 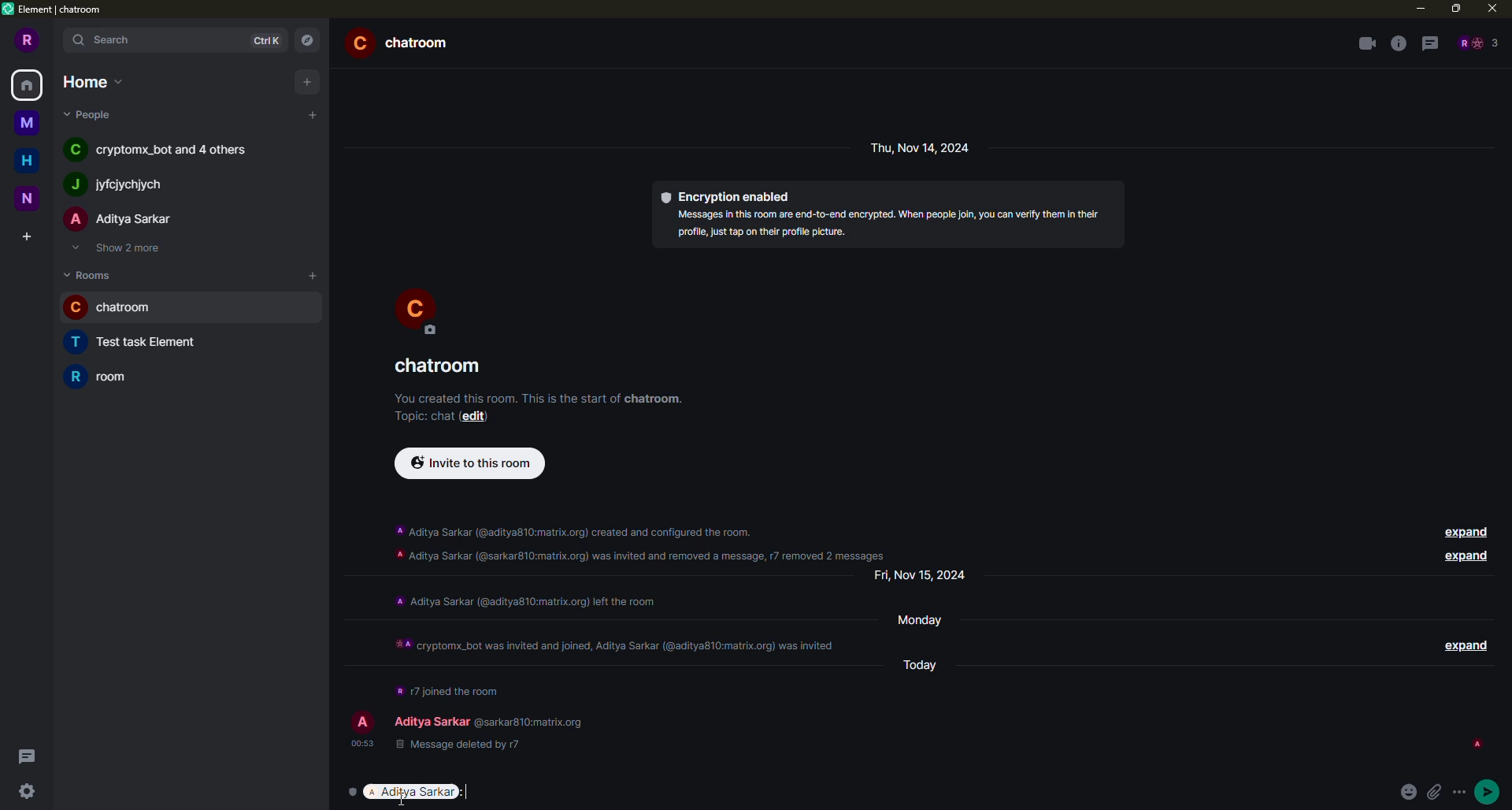 I want to click on expand, so click(x=1463, y=530).